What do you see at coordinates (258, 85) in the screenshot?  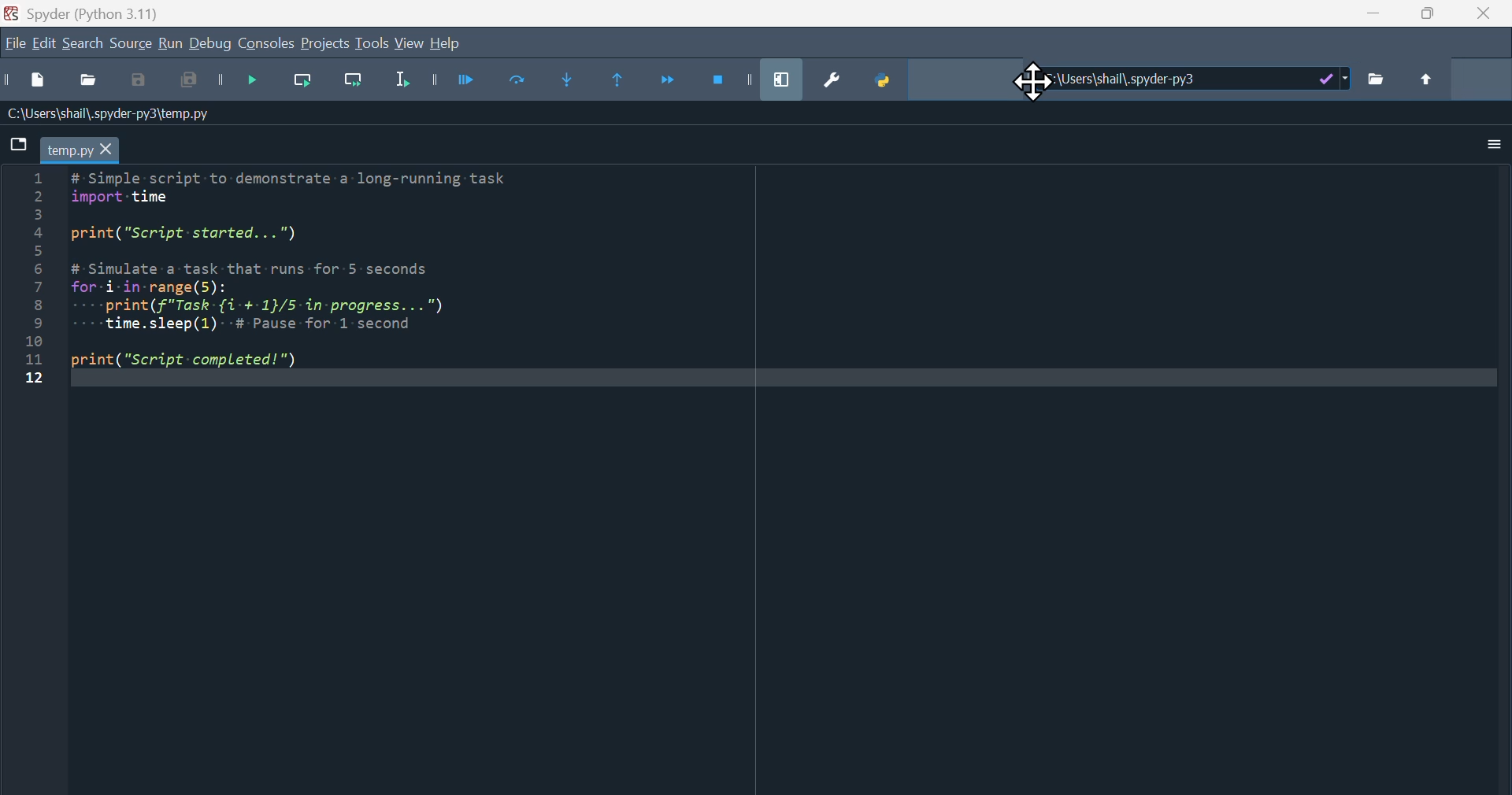 I see `Debug file` at bounding box center [258, 85].